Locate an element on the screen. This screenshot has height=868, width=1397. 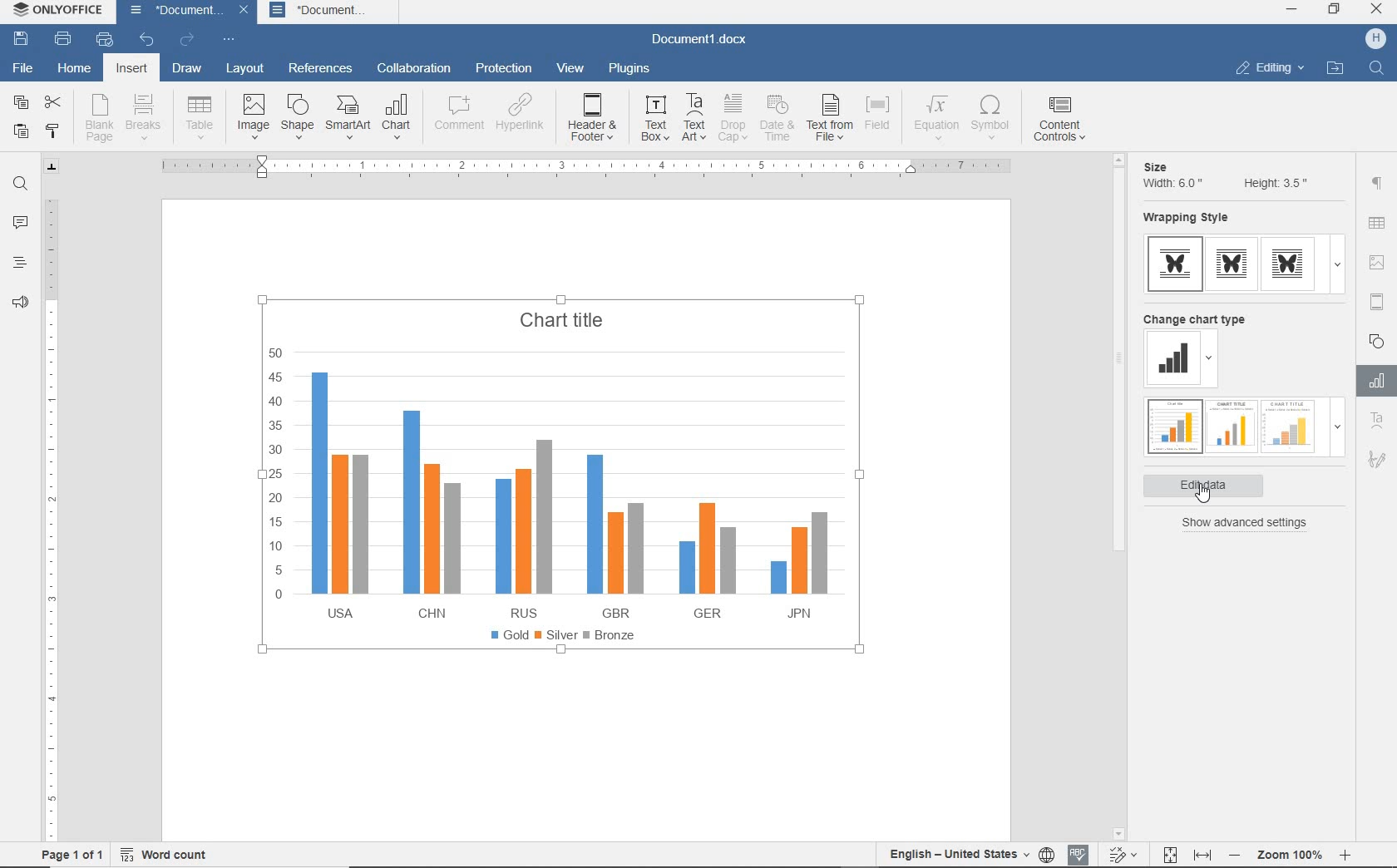
header & footer is located at coordinates (1376, 301).